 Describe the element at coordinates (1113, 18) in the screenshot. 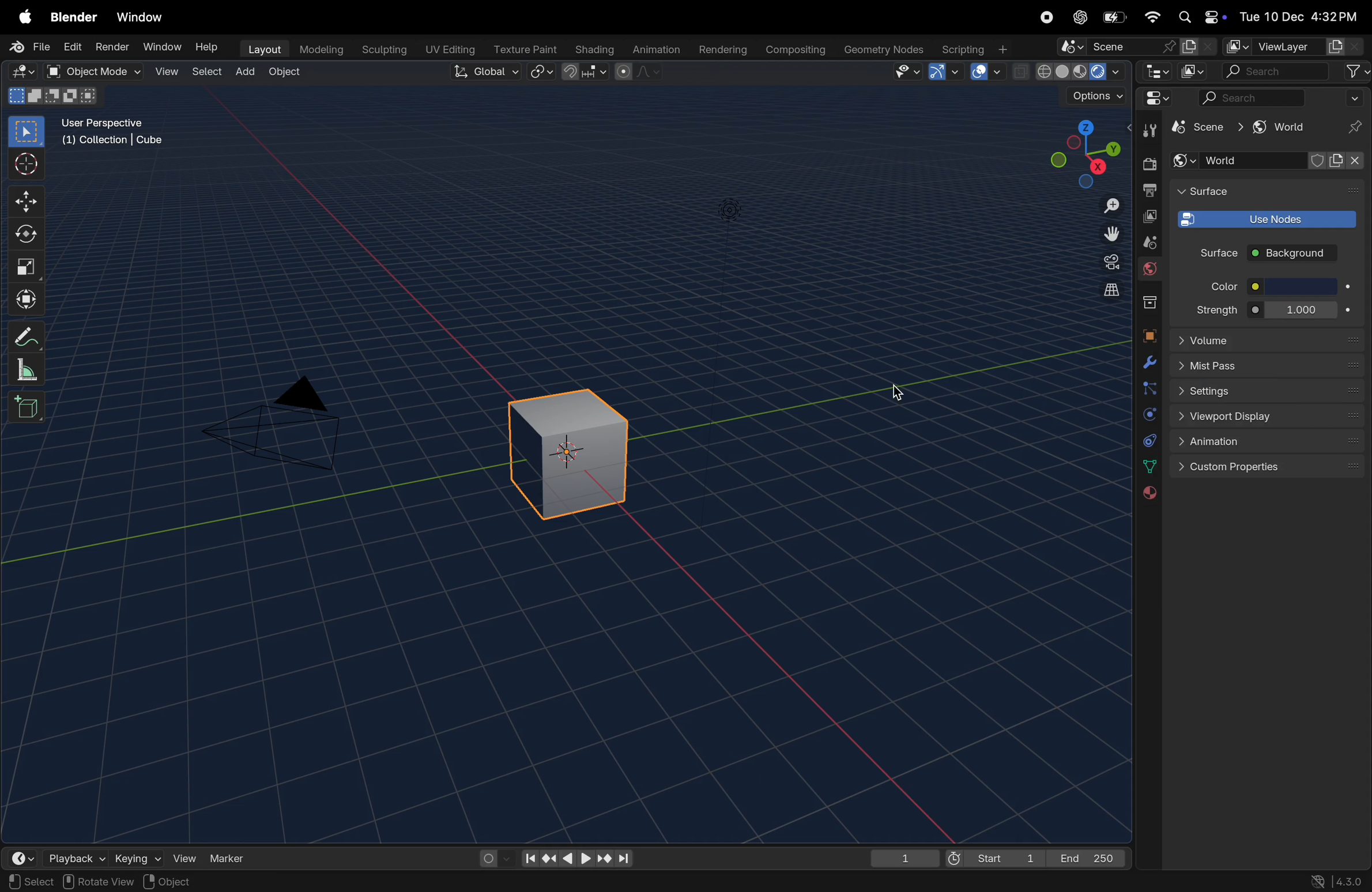

I see `battery` at that location.